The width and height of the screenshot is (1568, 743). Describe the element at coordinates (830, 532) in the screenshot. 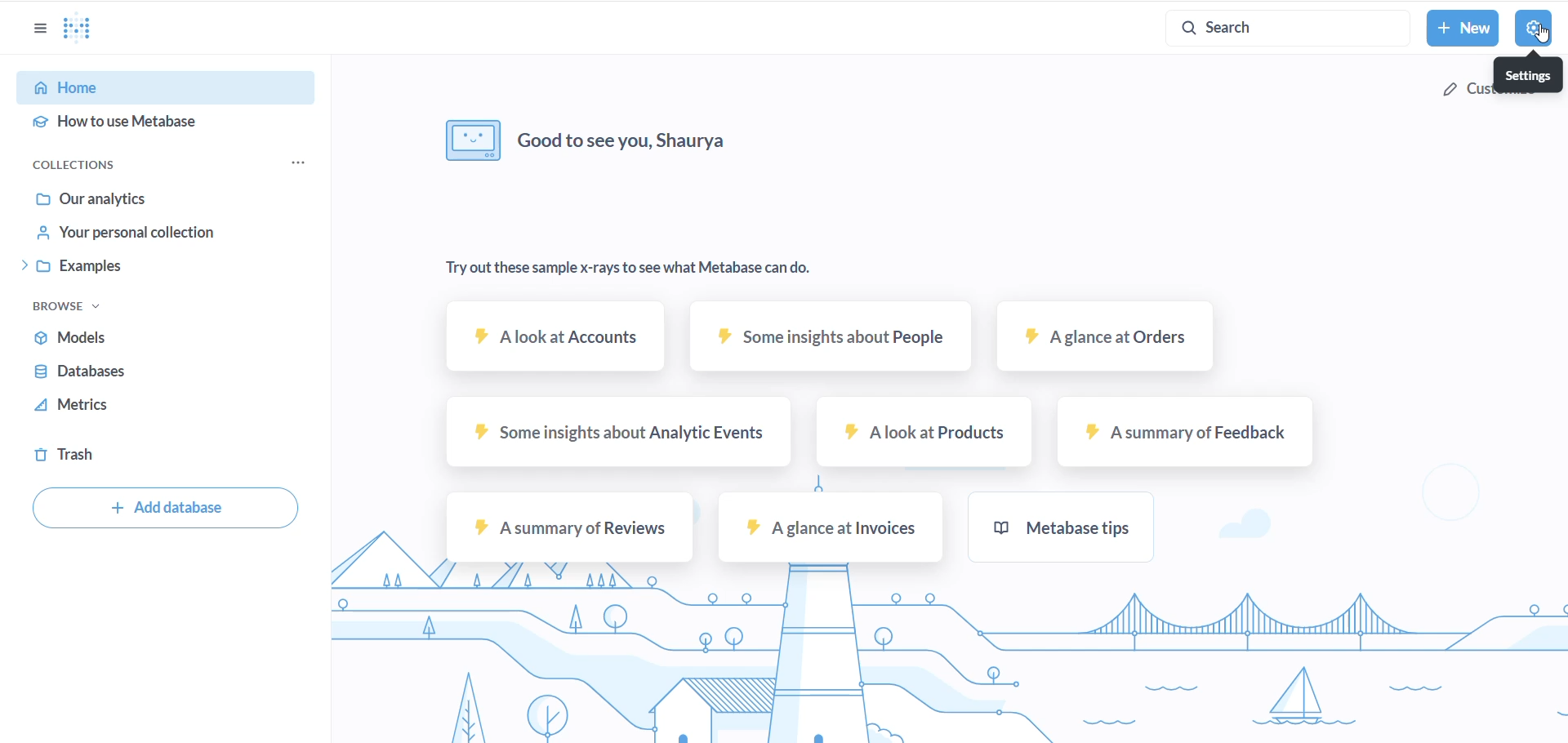

I see `A glance at Invoices sample` at that location.